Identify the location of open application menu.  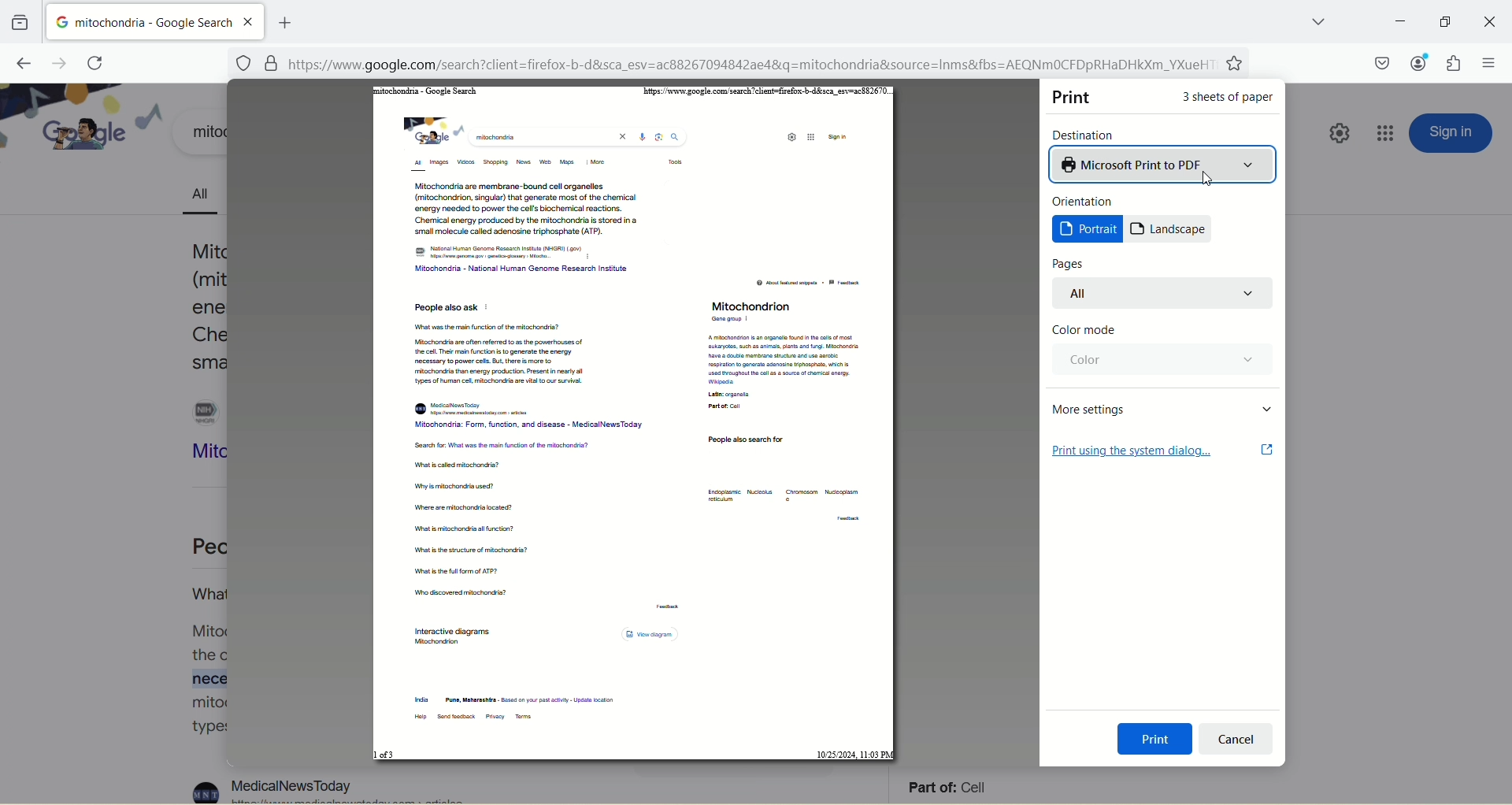
(1488, 65).